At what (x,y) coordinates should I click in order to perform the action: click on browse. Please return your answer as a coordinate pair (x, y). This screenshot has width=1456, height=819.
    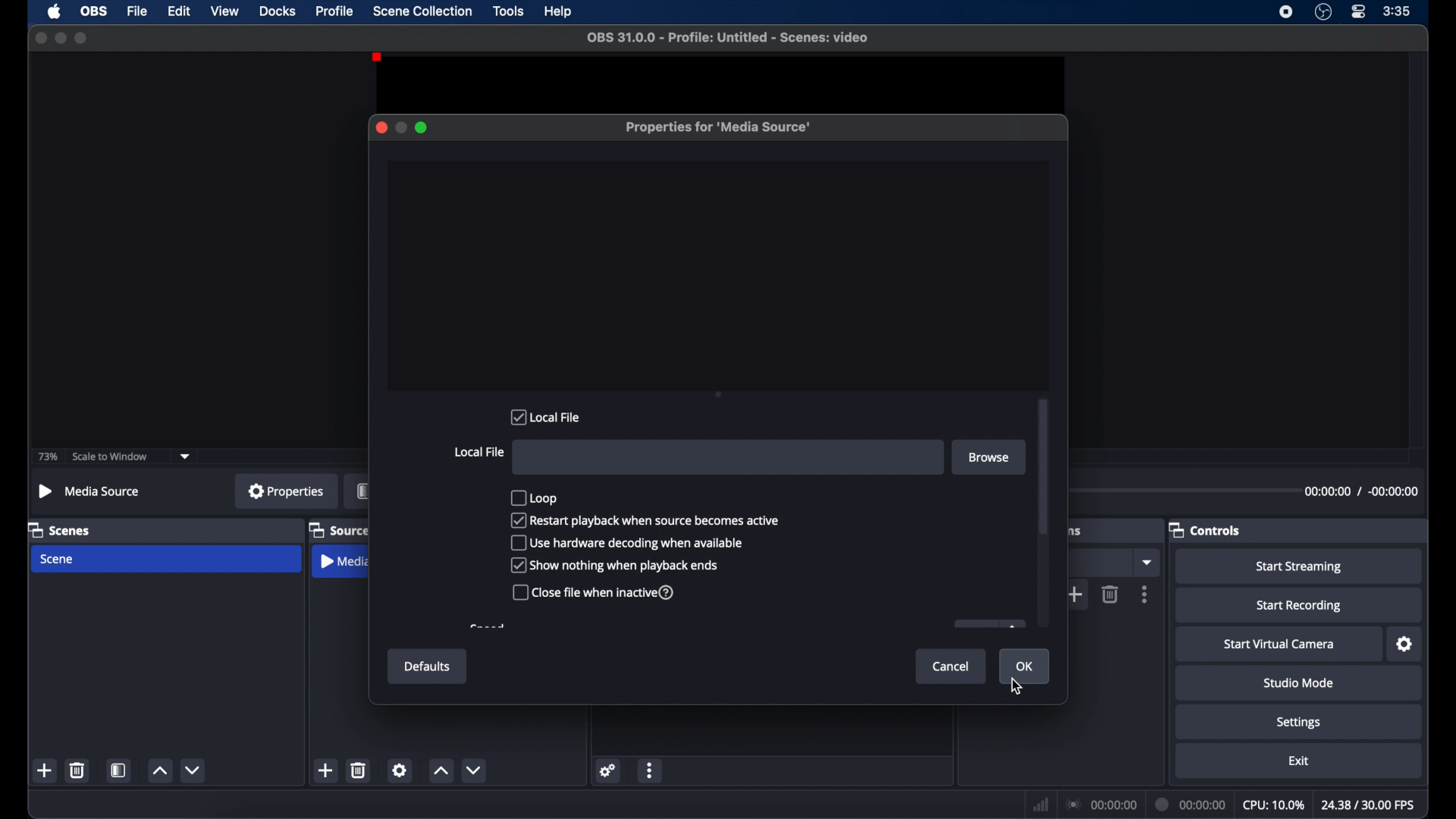
    Looking at the image, I should click on (989, 457).